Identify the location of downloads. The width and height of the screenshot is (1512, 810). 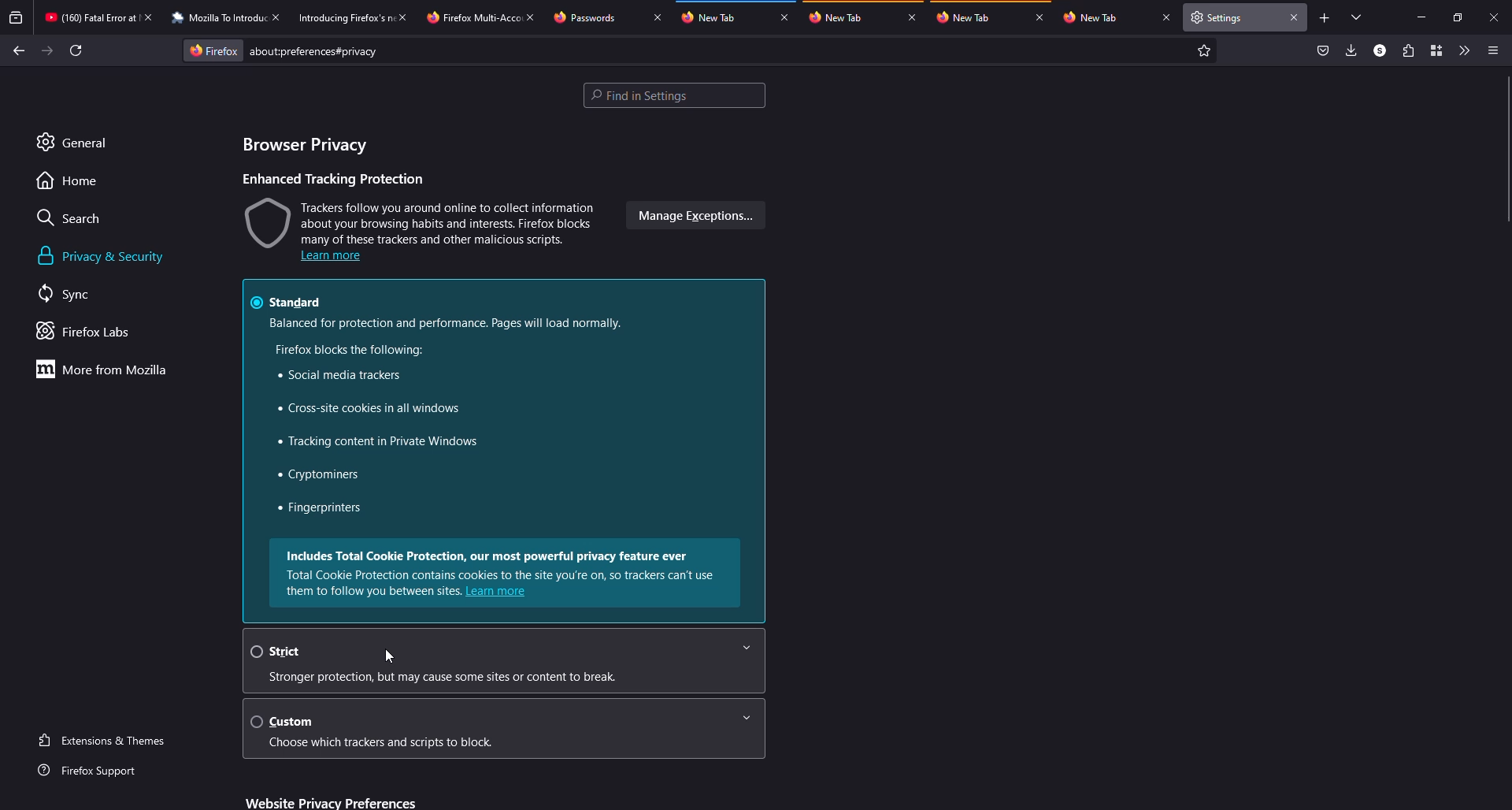
(1352, 50).